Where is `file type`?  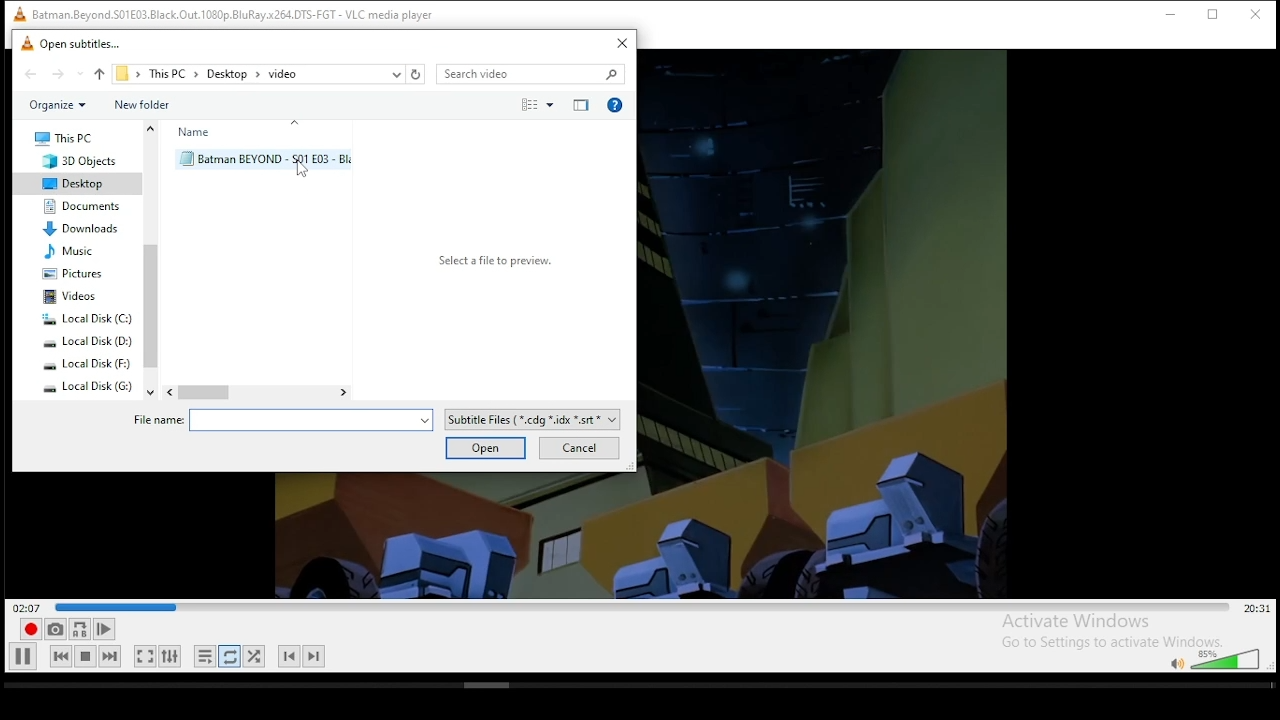
file type is located at coordinates (532, 419).